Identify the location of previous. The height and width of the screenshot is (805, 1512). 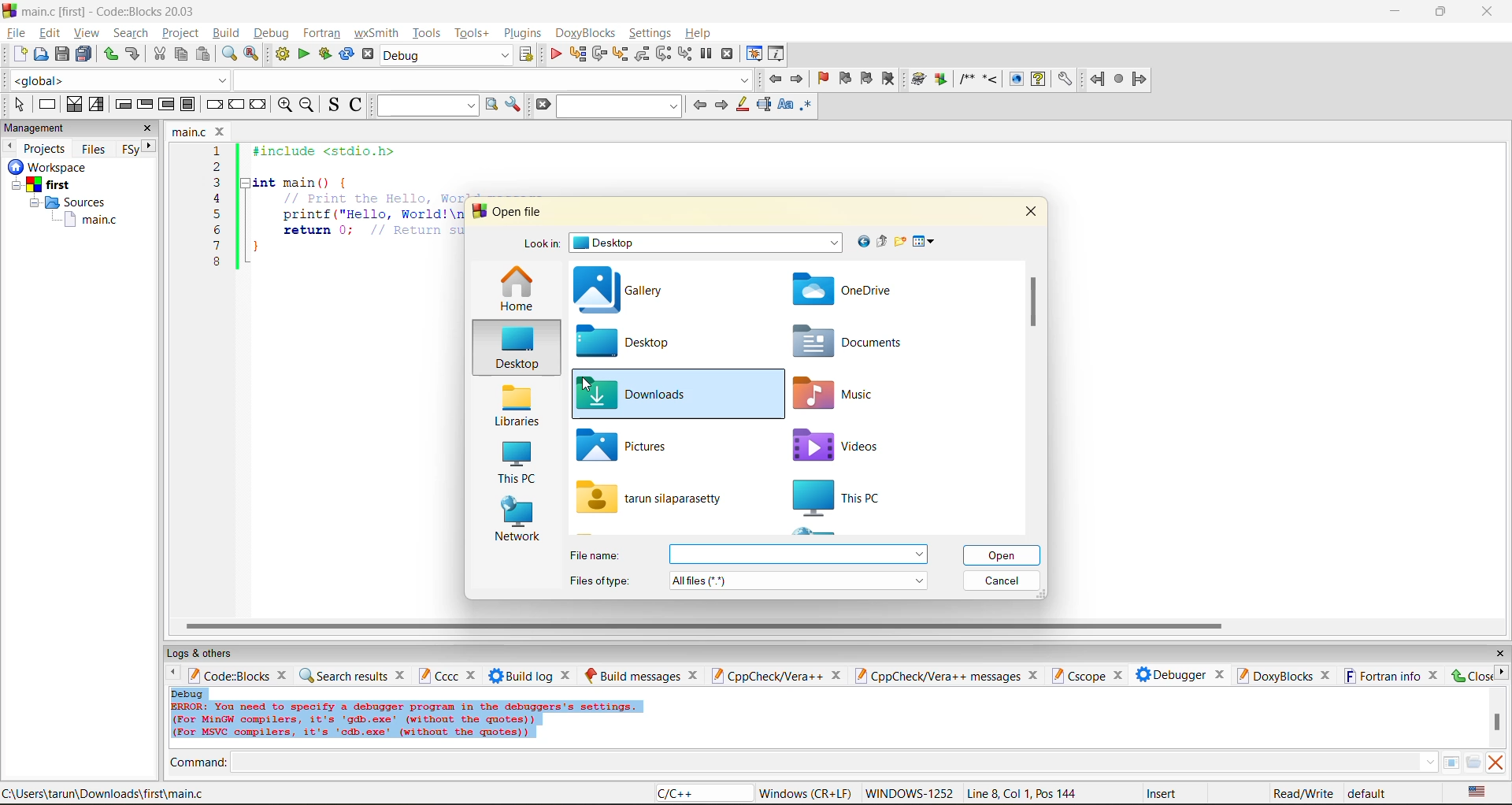
(9, 146).